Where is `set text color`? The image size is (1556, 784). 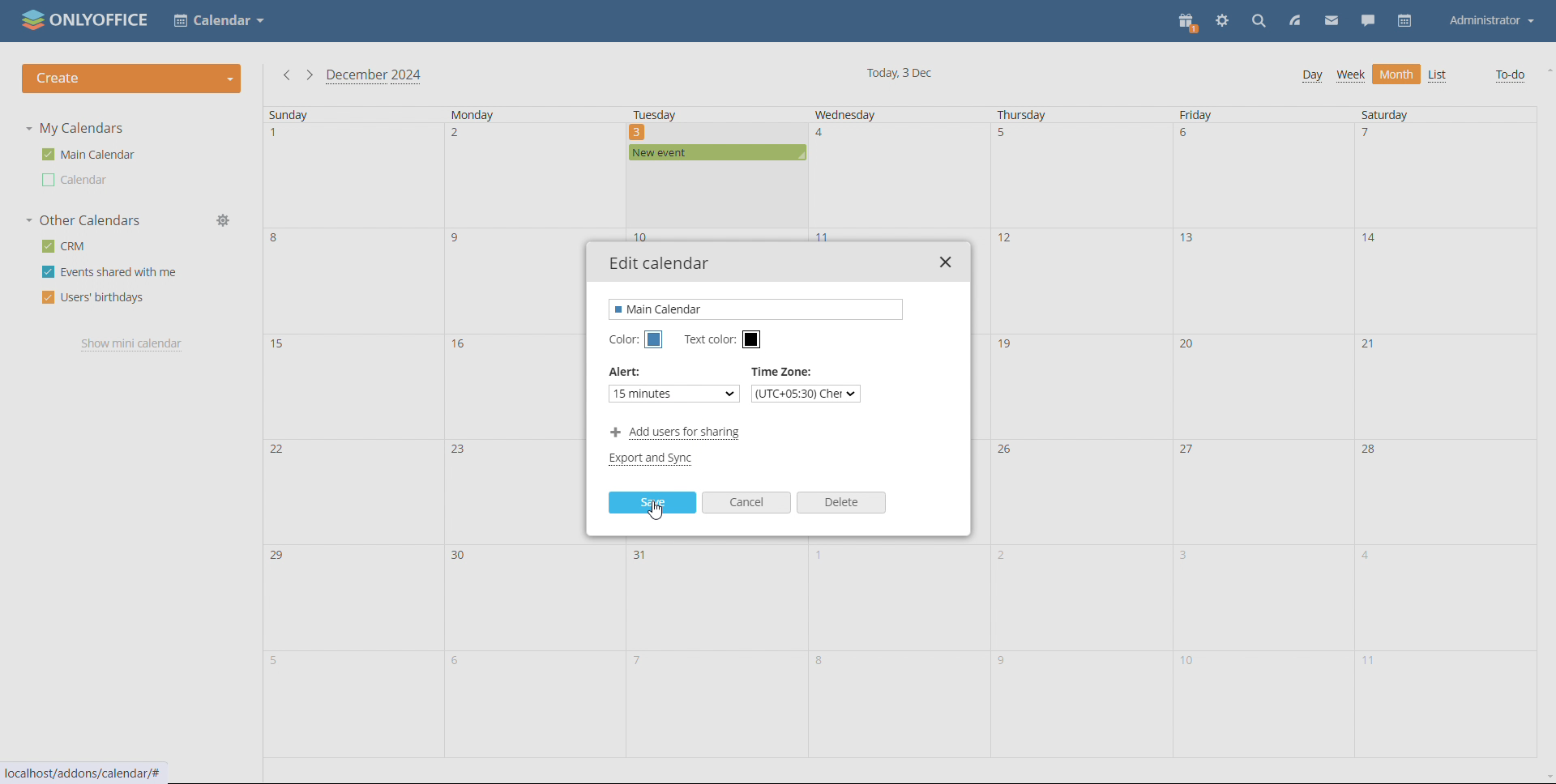 set text color is located at coordinates (752, 340).